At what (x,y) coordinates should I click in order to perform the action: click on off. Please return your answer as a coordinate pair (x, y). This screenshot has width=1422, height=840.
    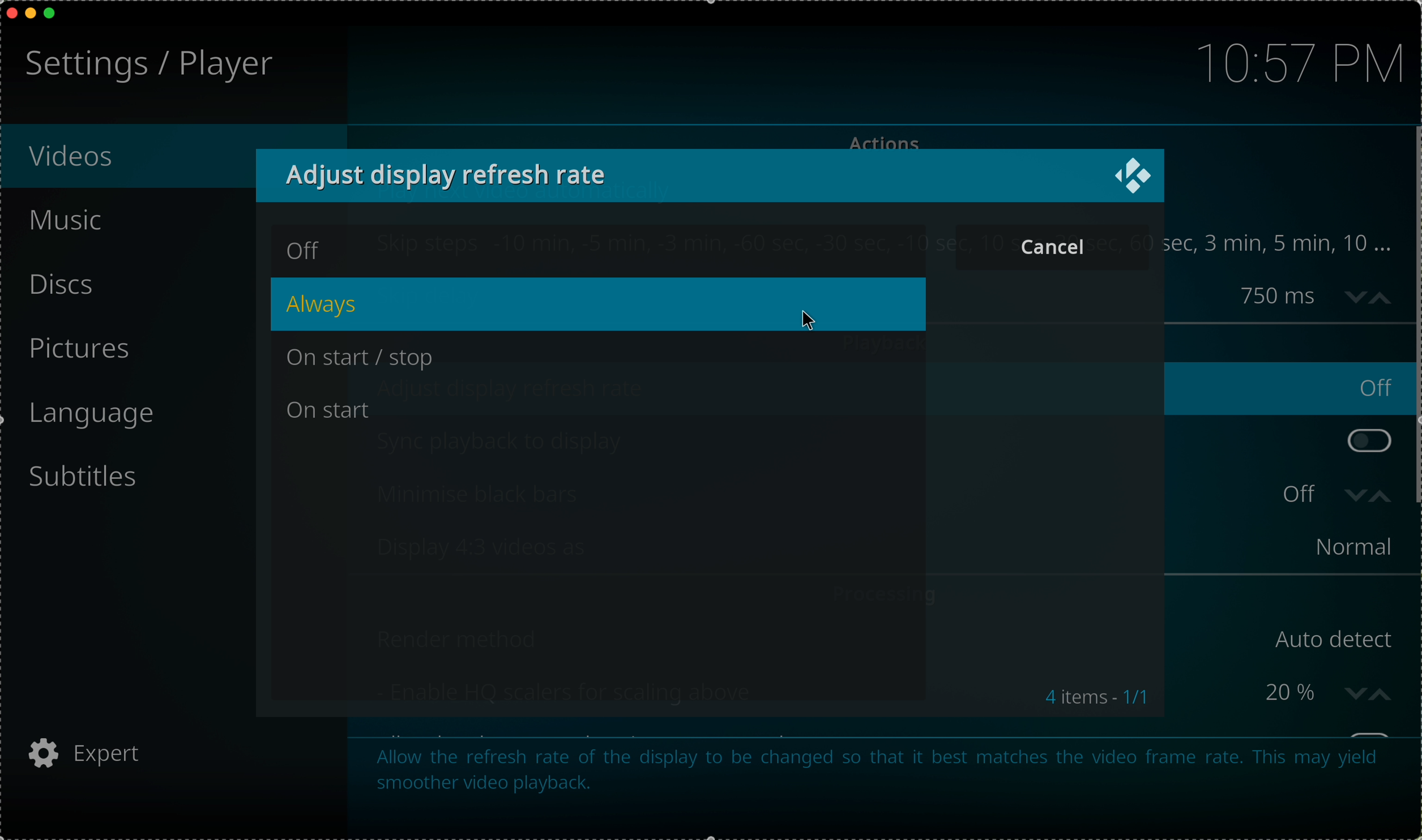
    Looking at the image, I should click on (301, 251).